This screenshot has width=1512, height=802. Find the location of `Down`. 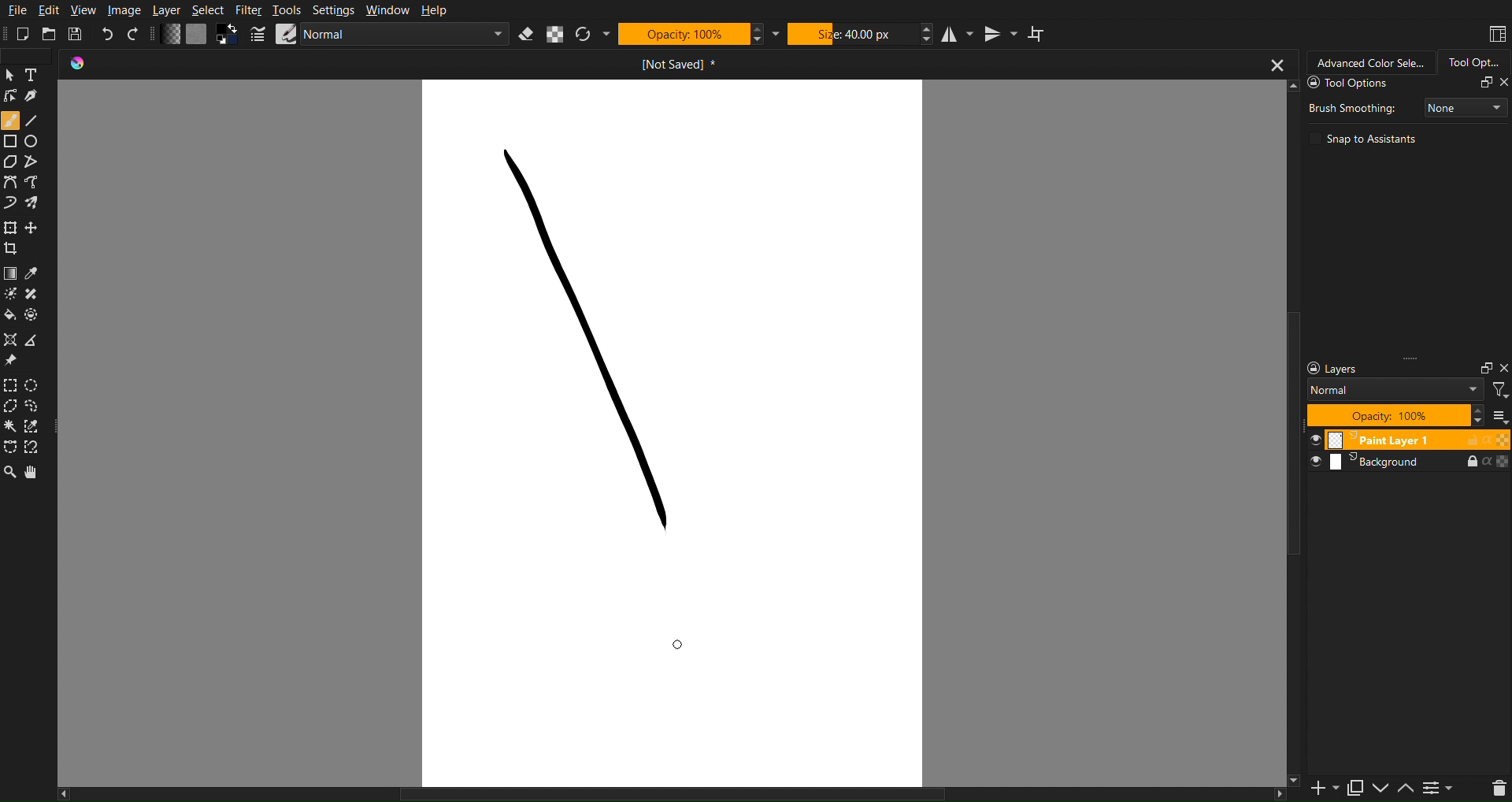

Down is located at coordinates (1384, 789).